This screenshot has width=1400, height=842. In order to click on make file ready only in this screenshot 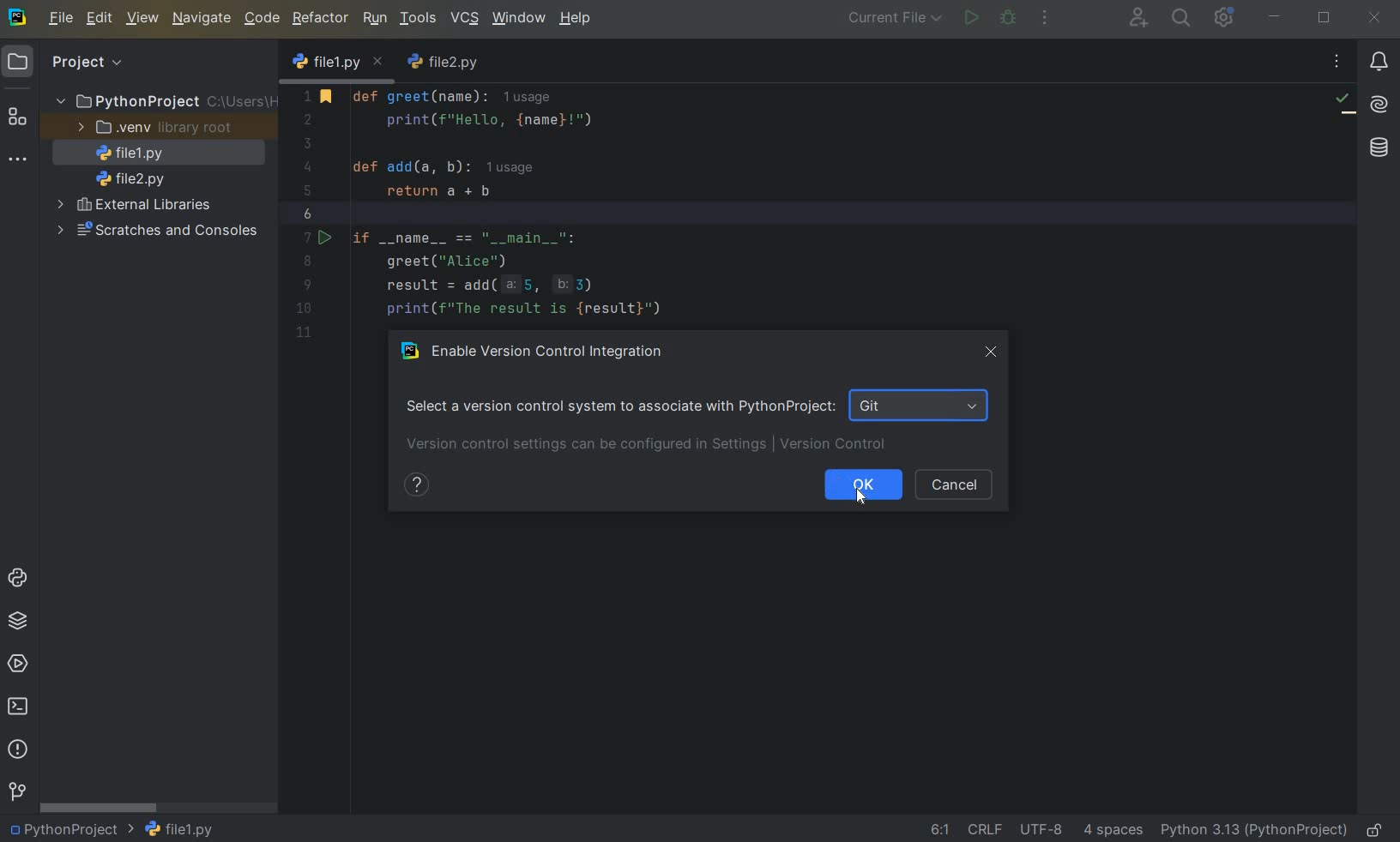, I will do `click(1372, 829)`.